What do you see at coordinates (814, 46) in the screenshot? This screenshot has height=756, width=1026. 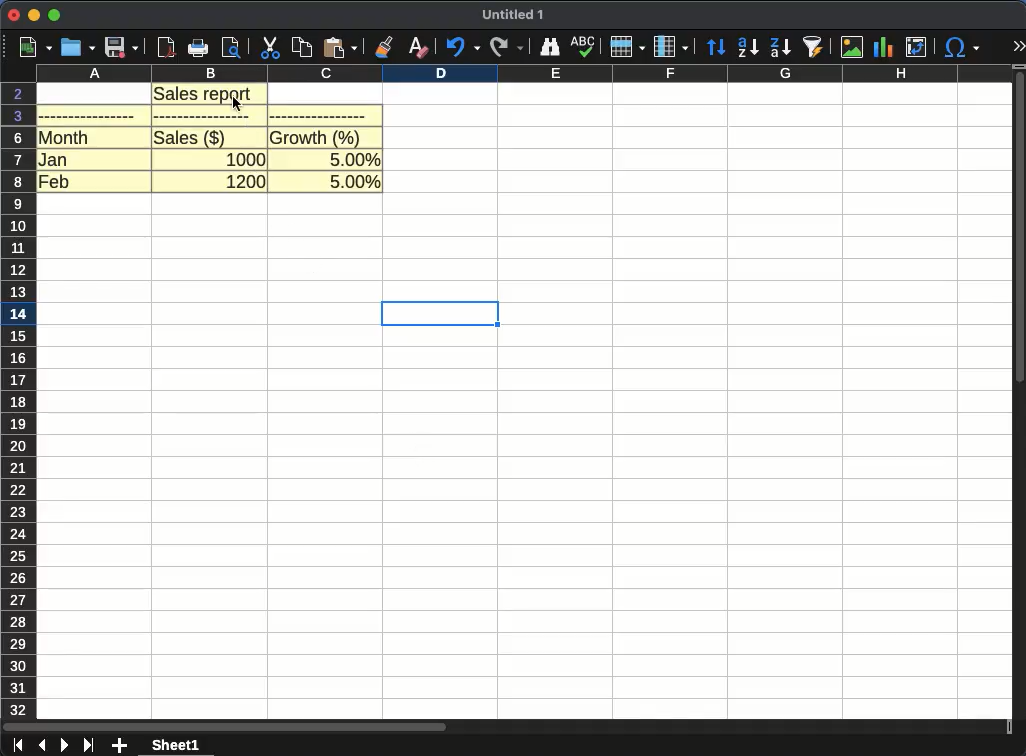 I see `autofilter` at bounding box center [814, 46].